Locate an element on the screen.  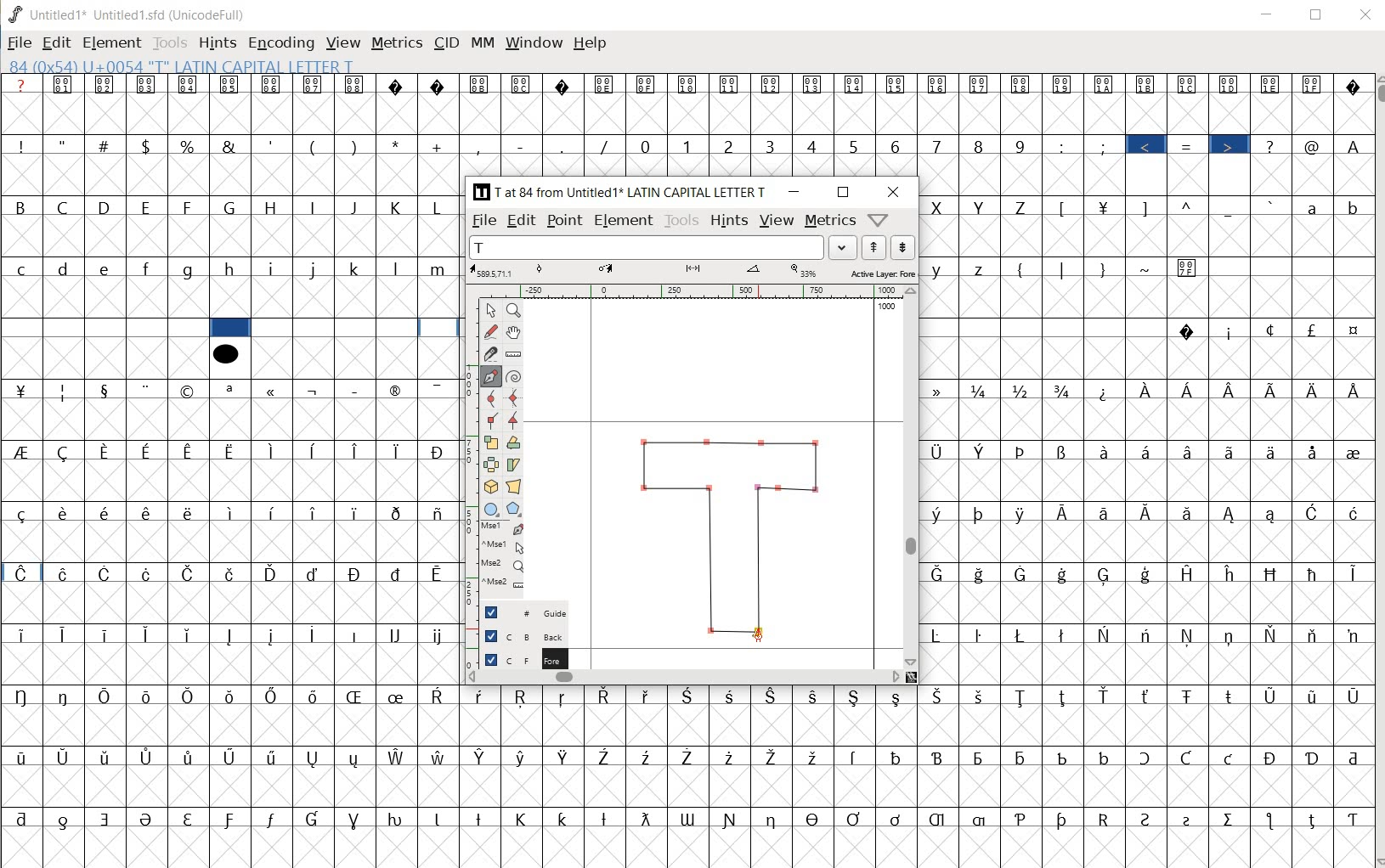
Symbol is located at coordinates (106, 695).